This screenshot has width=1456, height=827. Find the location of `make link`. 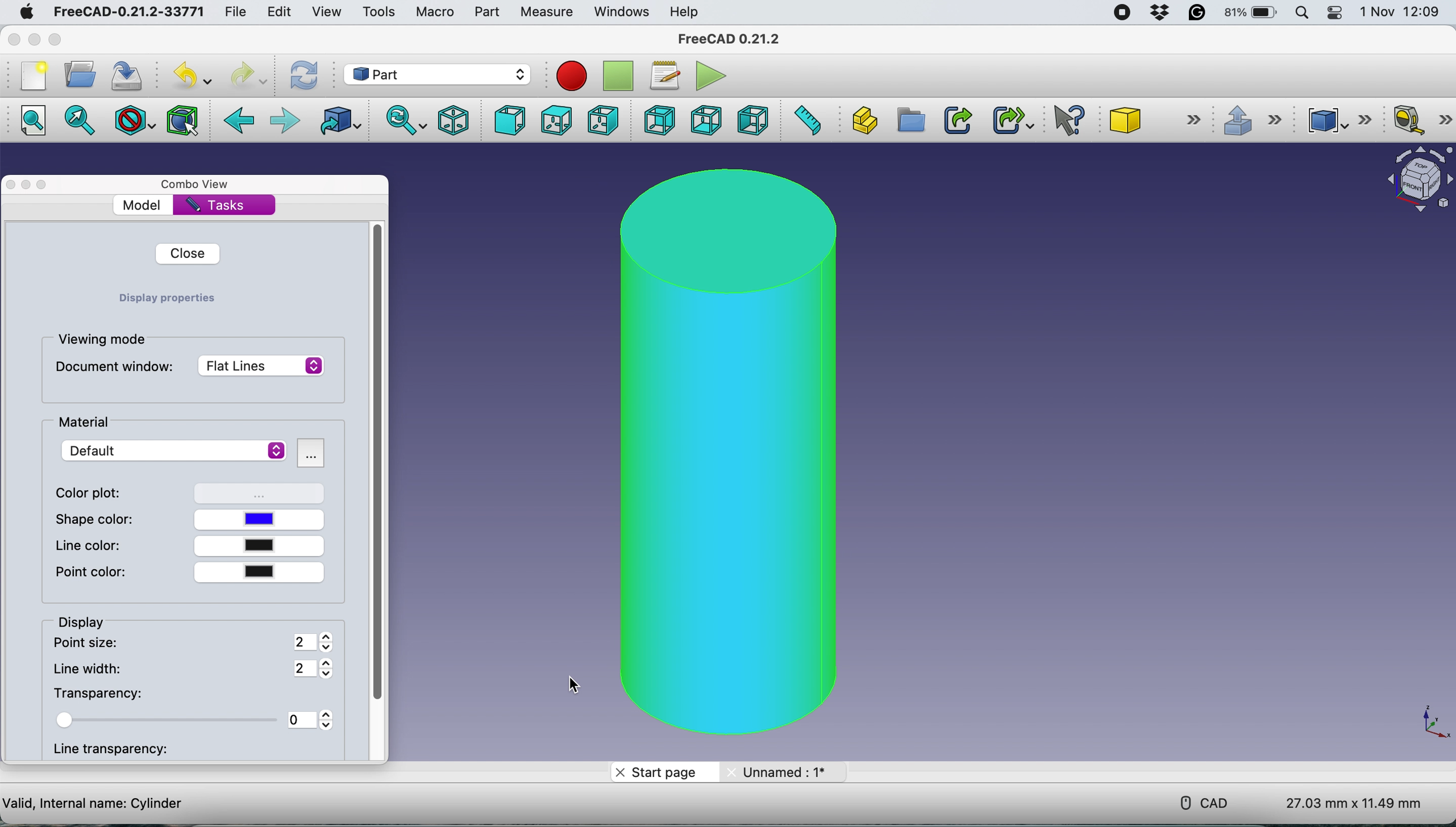

make link is located at coordinates (958, 122).